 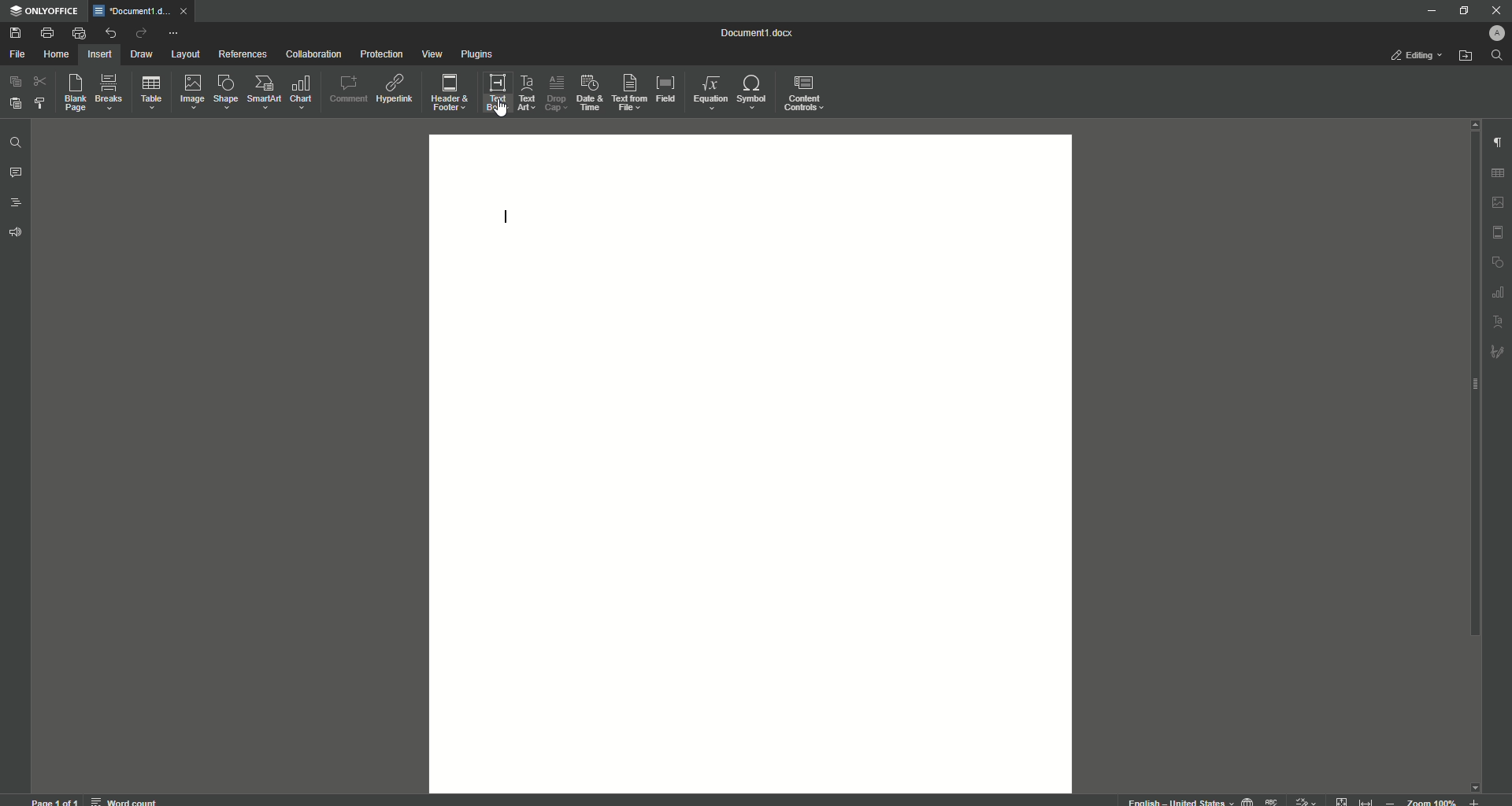 What do you see at coordinates (396, 89) in the screenshot?
I see `Hyperlink` at bounding box center [396, 89].